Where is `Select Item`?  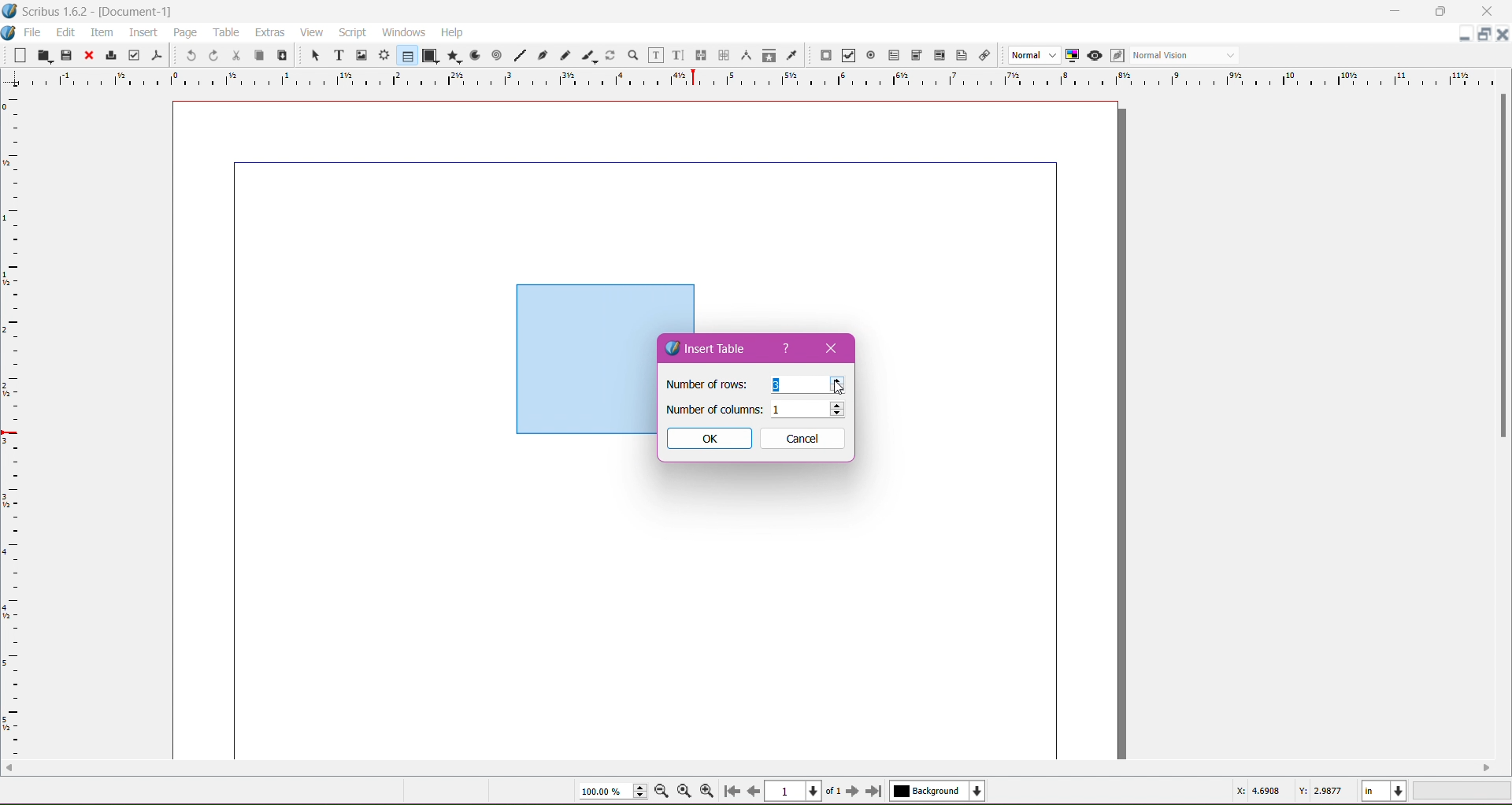 Select Item is located at coordinates (309, 54).